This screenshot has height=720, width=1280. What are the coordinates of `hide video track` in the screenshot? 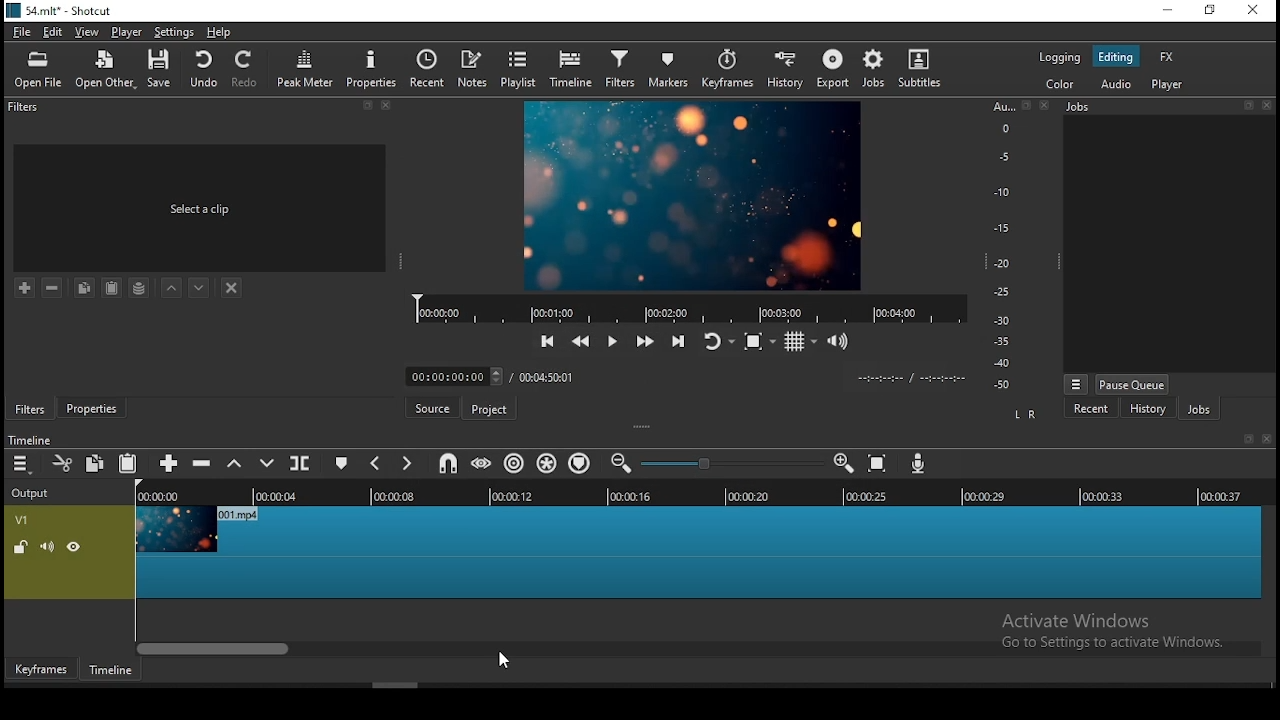 It's located at (74, 545).